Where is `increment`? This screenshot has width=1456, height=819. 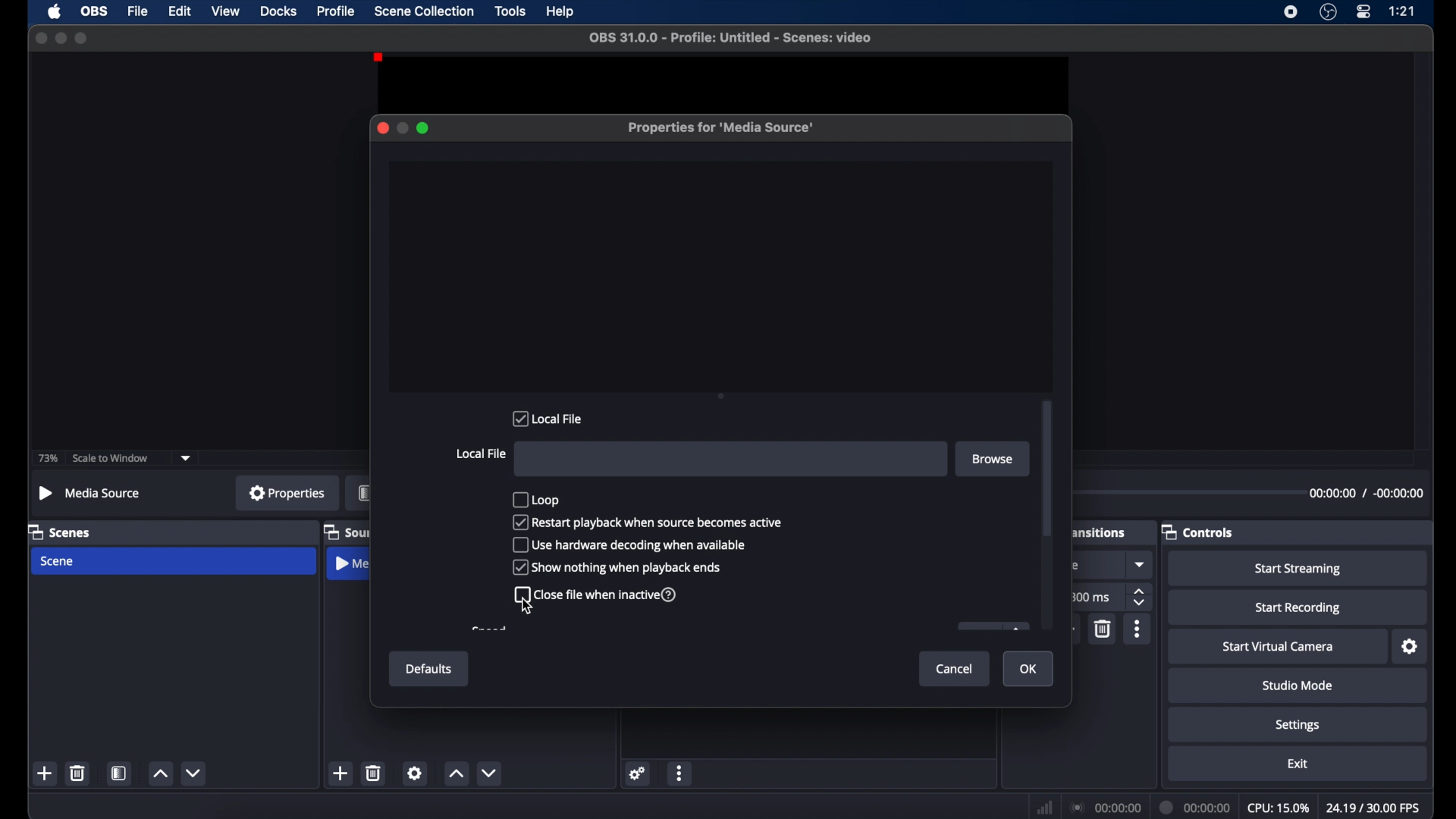 increment is located at coordinates (159, 773).